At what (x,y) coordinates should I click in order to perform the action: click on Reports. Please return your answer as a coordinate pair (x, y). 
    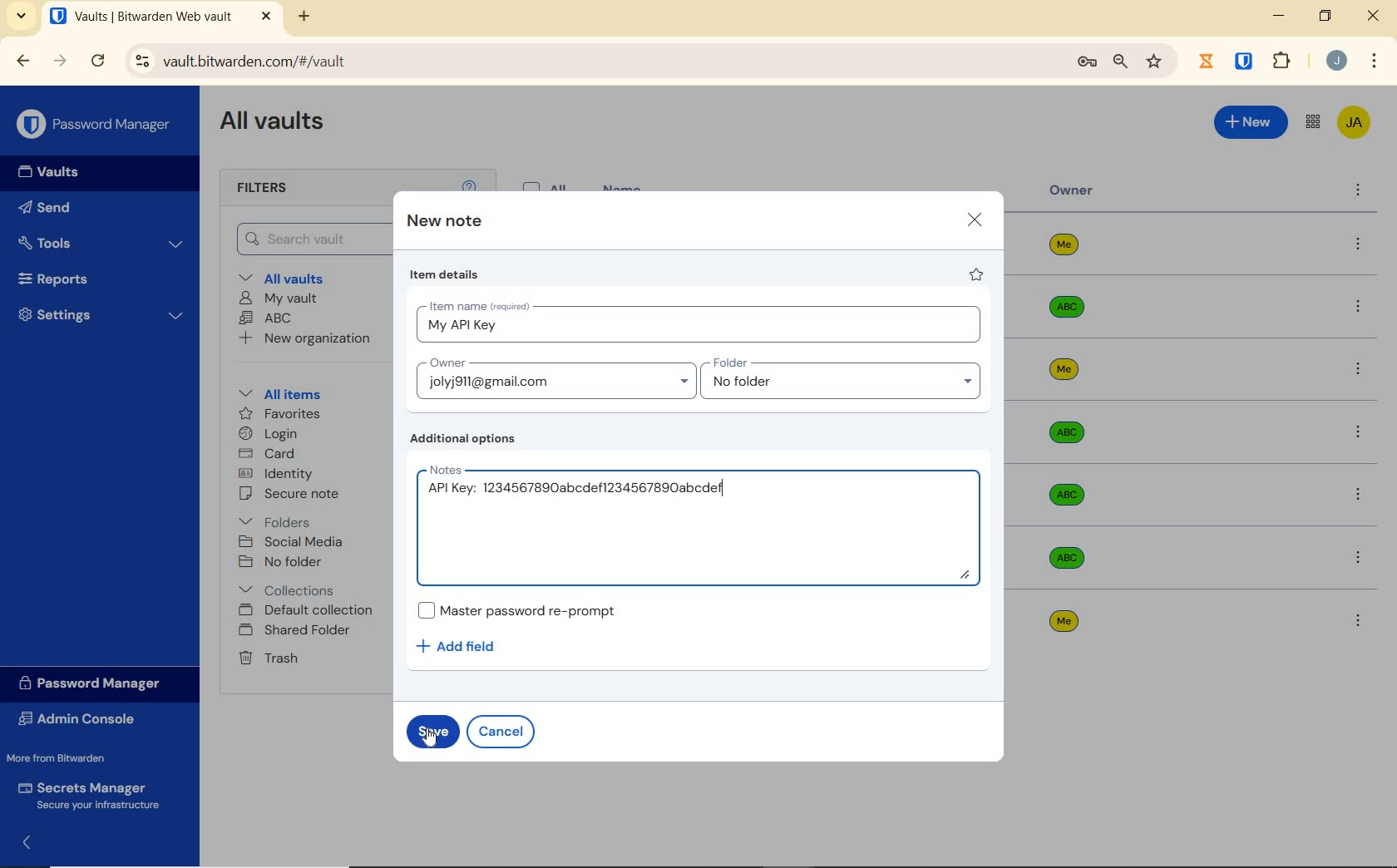
    Looking at the image, I should click on (95, 280).